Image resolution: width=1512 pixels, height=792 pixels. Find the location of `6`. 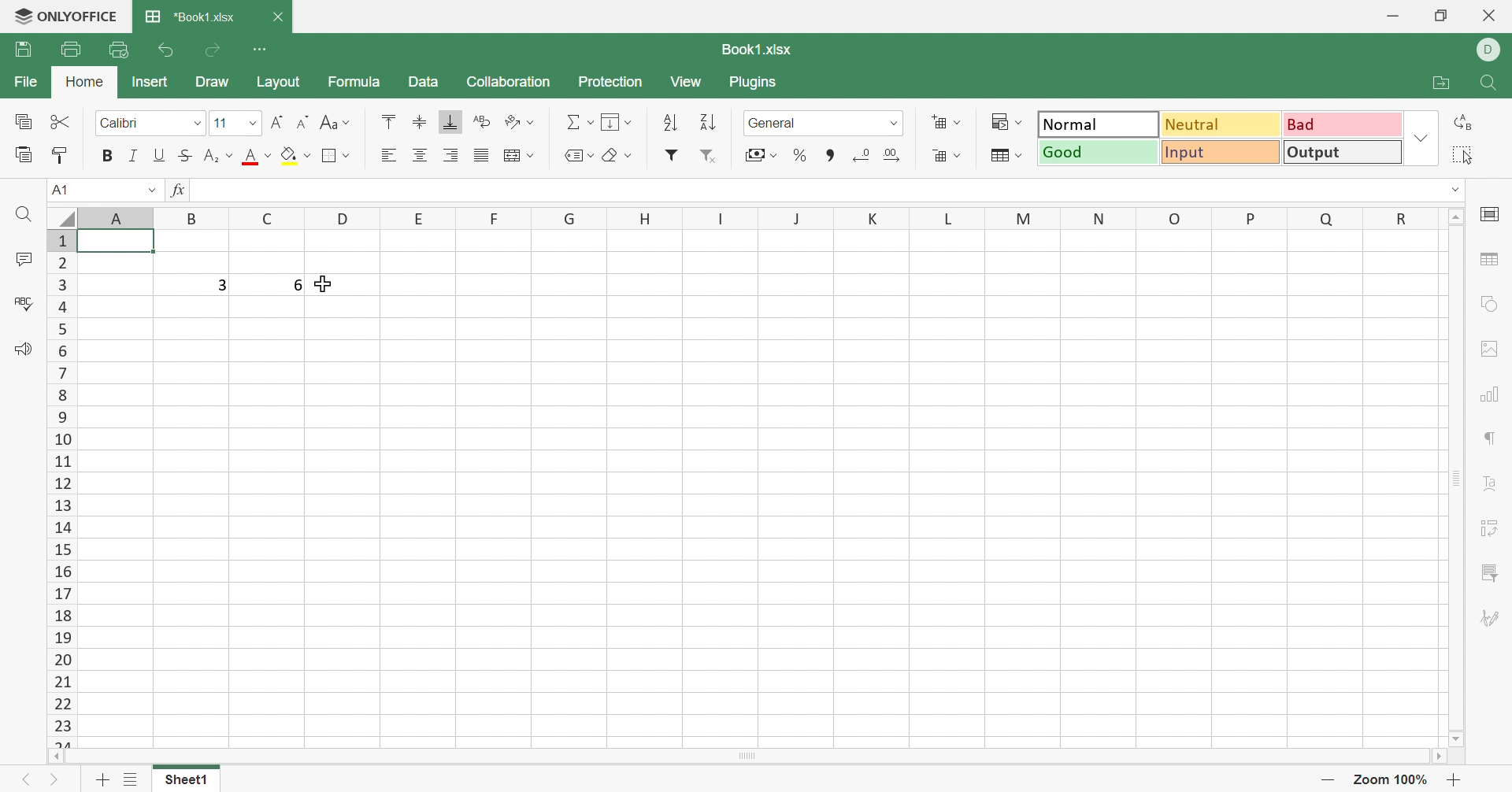

6 is located at coordinates (294, 285).